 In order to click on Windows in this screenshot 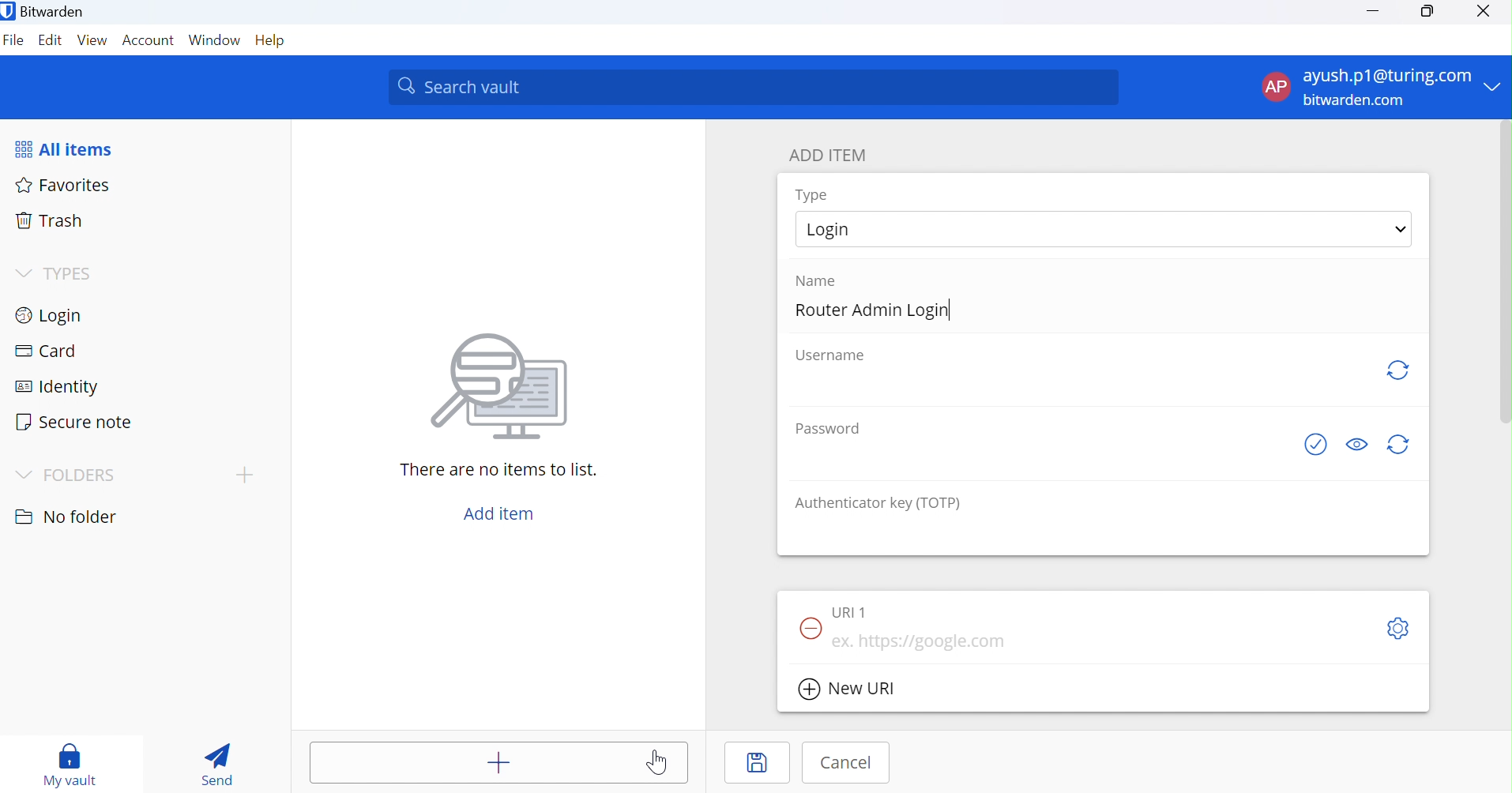, I will do `click(215, 43)`.